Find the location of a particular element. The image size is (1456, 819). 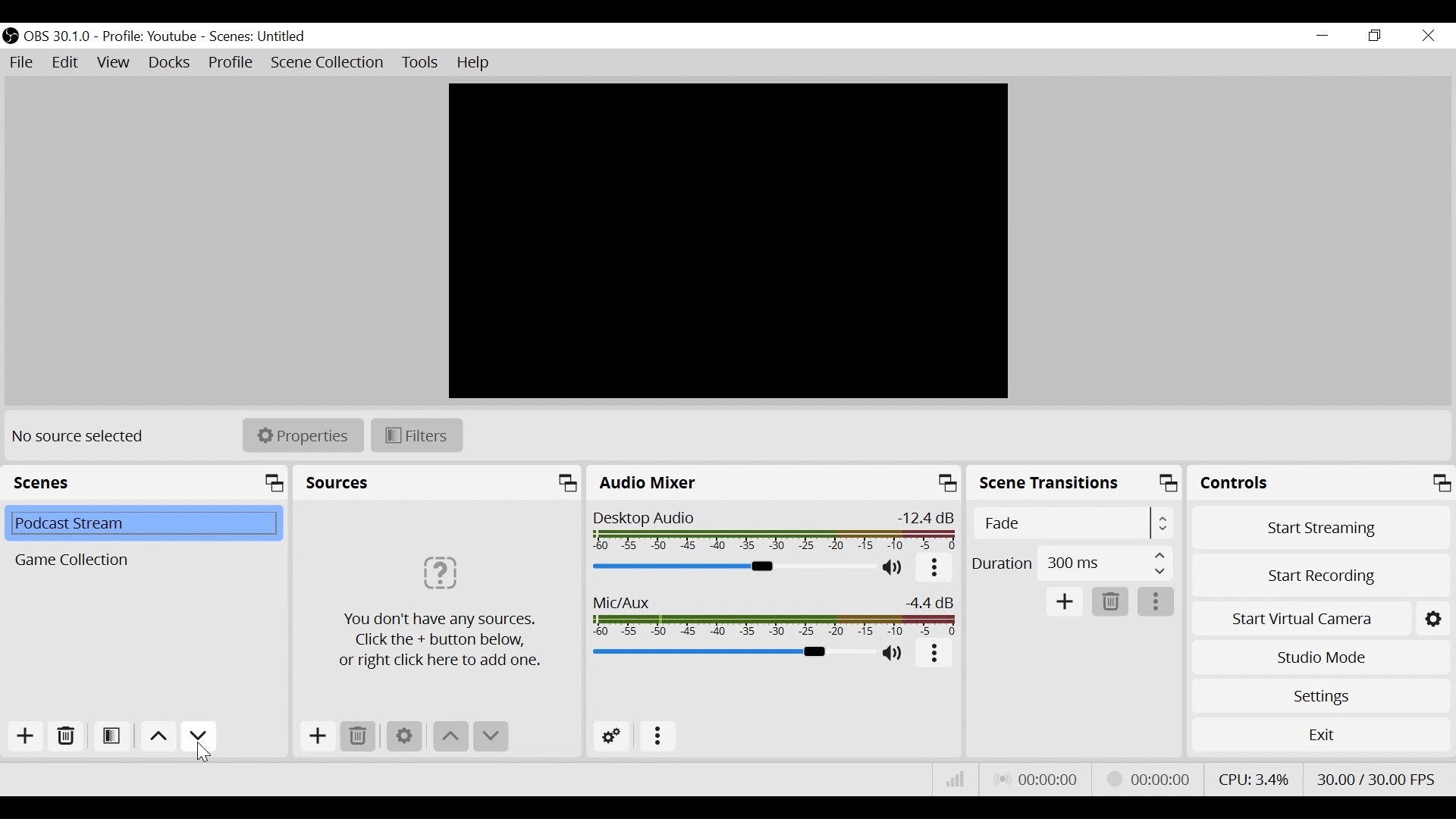

OBS Desktop Icon is located at coordinates (10, 36).